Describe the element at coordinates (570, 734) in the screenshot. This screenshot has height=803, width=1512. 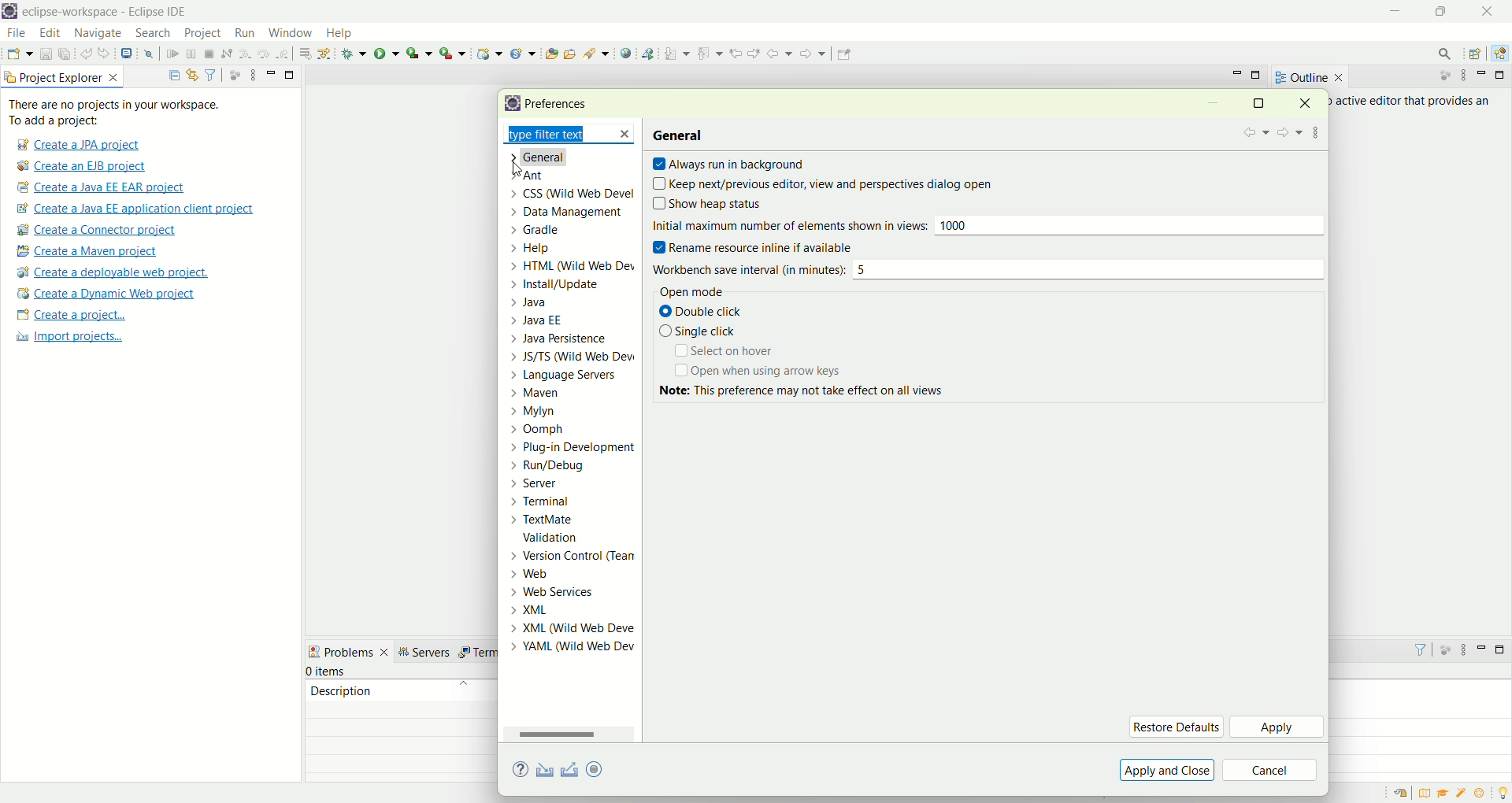
I see `scroll bar` at that location.